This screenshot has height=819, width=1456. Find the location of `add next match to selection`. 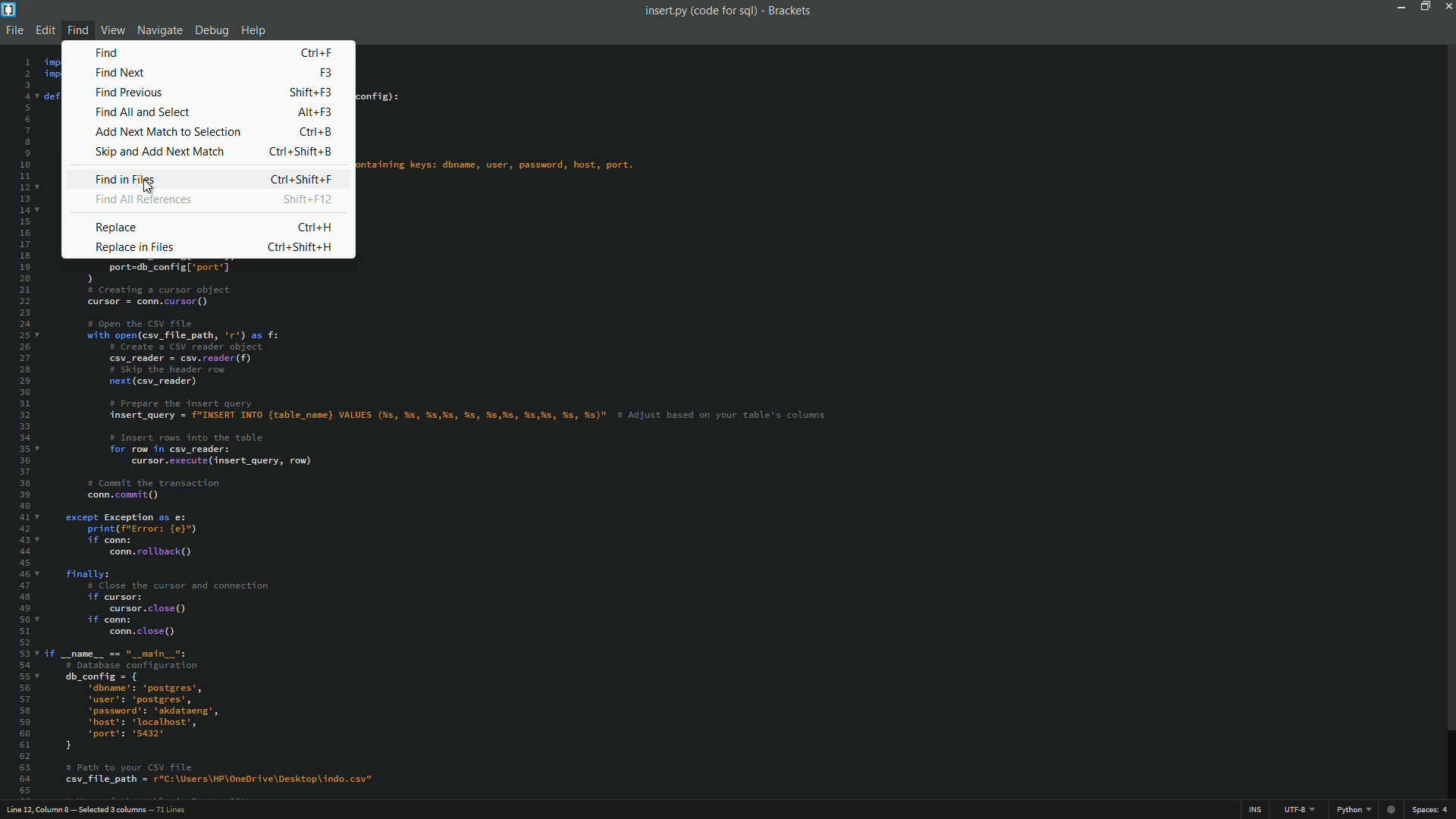

add next match to selection is located at coordinates (168, 132).